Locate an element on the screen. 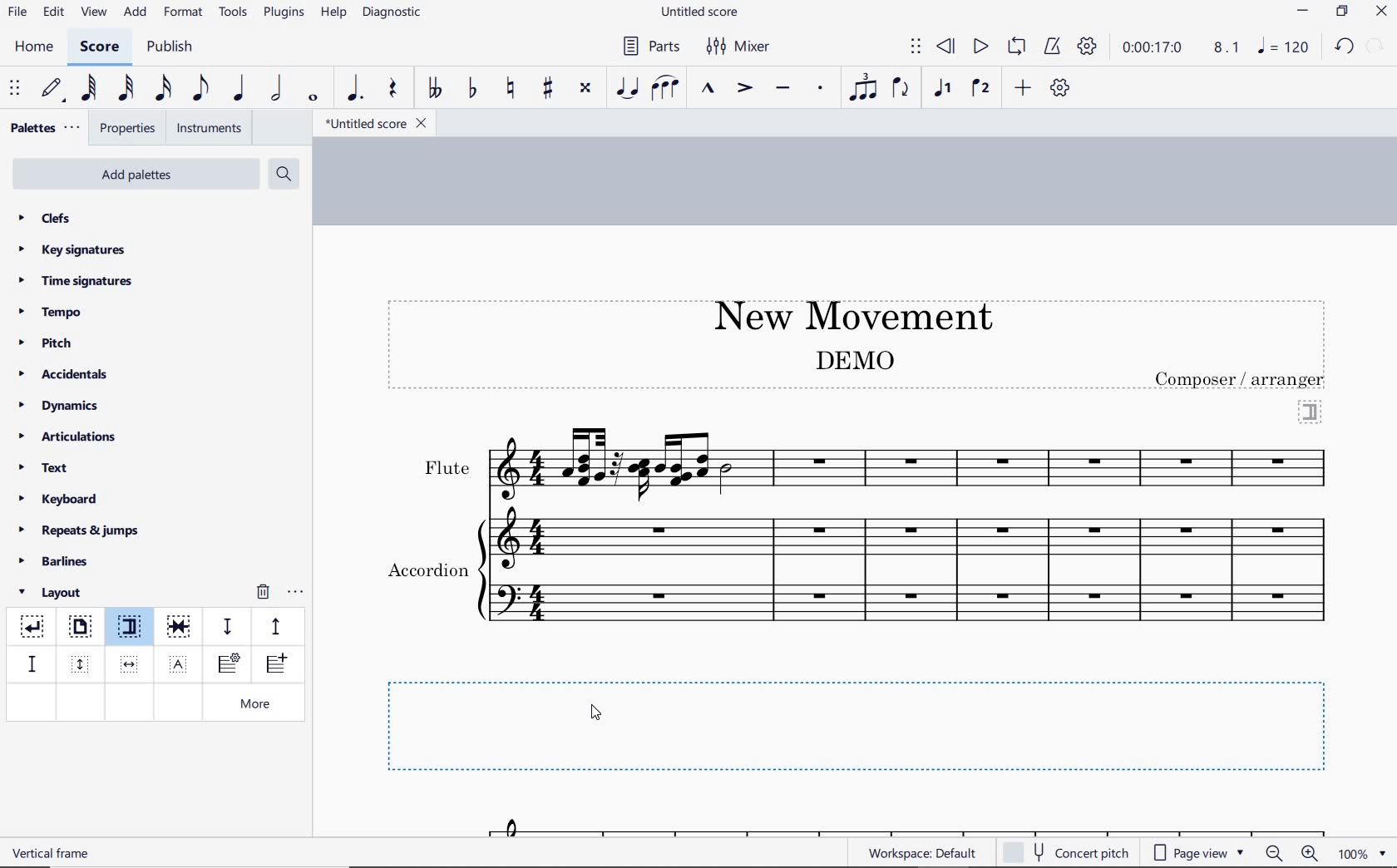 This screenshot has height=868, width=1397. 32nd note is located at coordinates (125, 89).